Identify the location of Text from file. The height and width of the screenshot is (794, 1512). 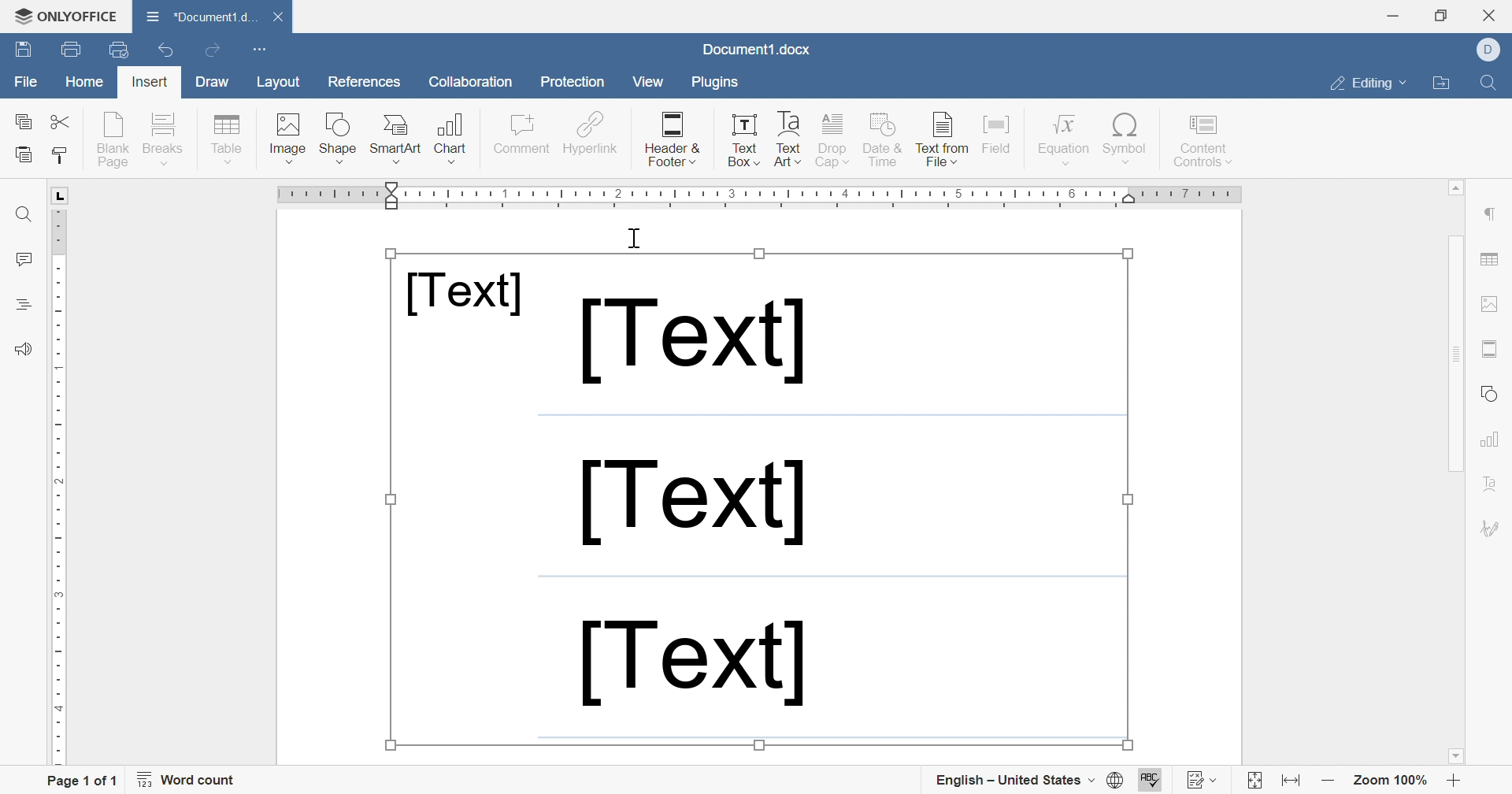
(943, 141).